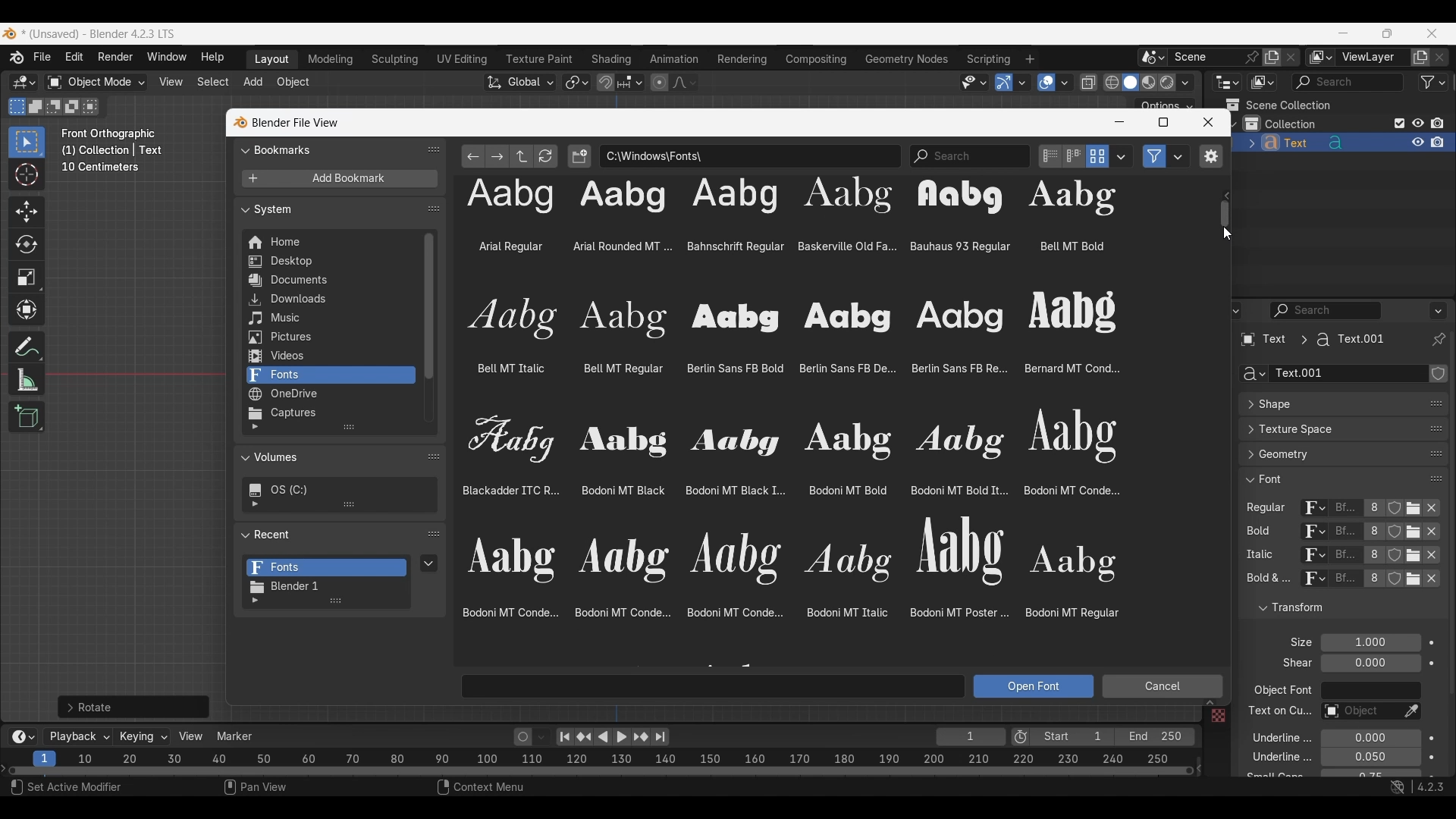 Image resolution: width=1456 pixels, height=819 pixels. Describe the element at coordinates (271, 60) in the screenshot. I see `Layout workspace, current selection` at that location.